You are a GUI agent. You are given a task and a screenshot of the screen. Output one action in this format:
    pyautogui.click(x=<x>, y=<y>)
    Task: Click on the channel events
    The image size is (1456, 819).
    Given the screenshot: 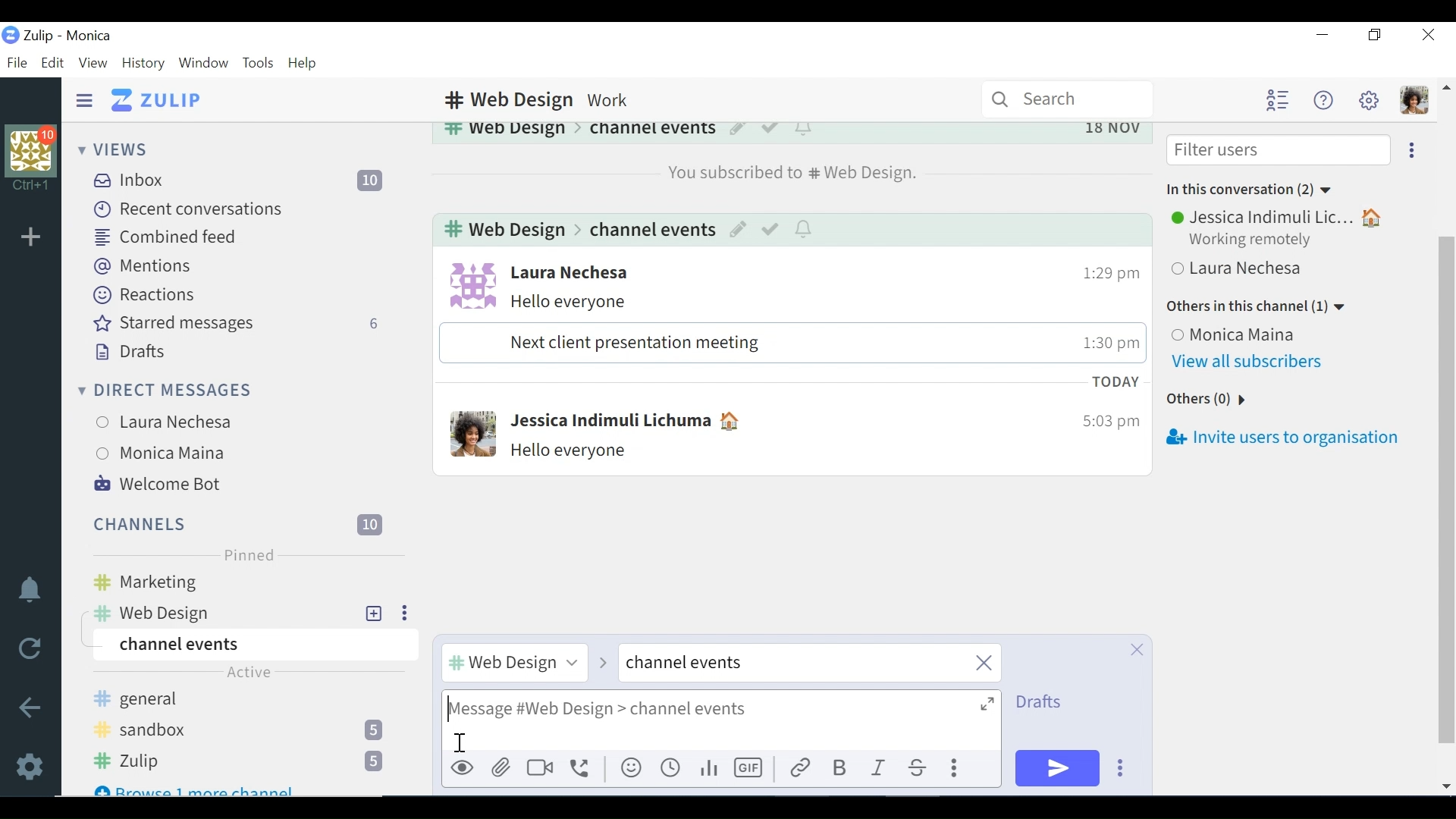 What is the action you would take?
    pyautogui.click(x=651, y=229)
    